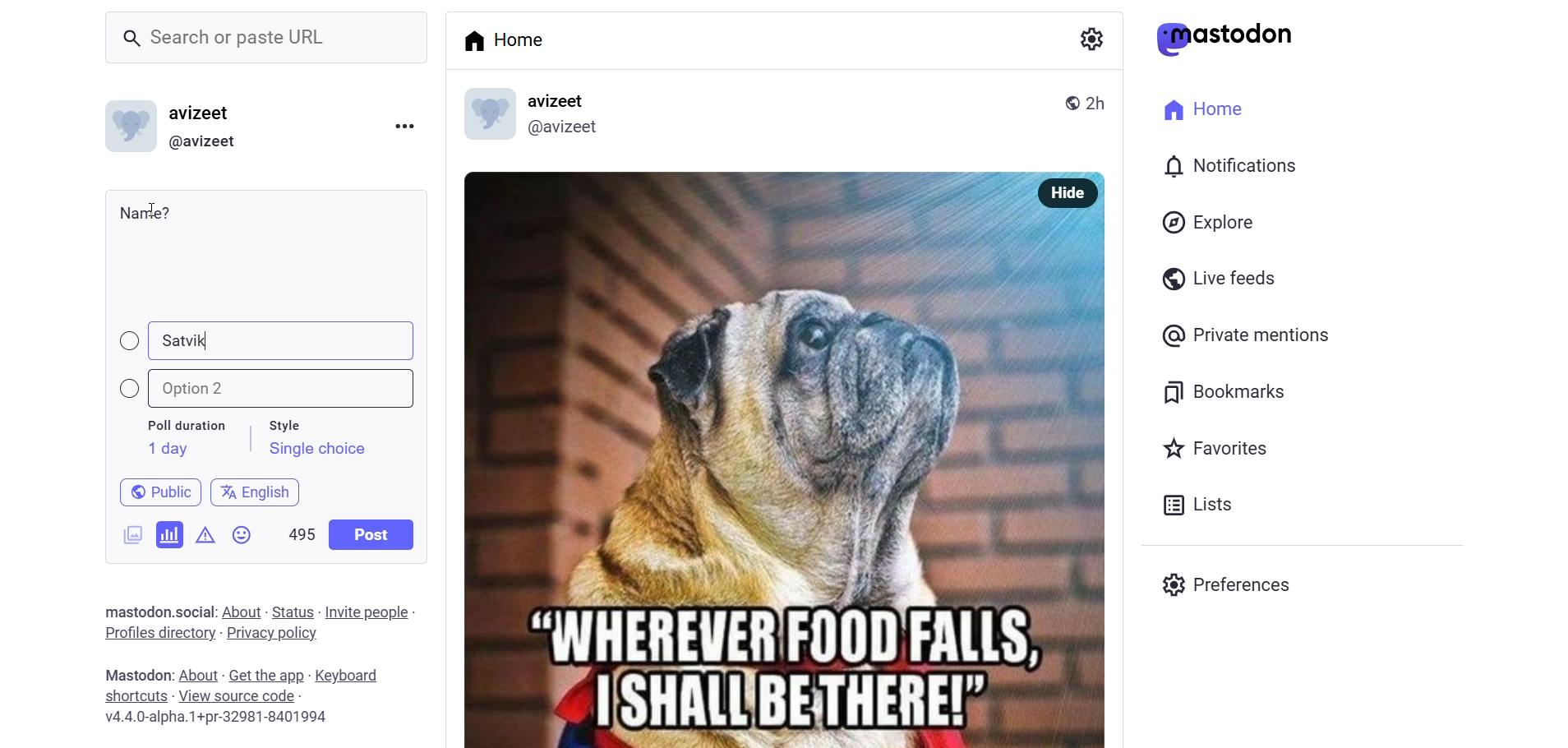 This screenshot has width=1568, height=748. Describe the element at coordinates (1066, 101) in the screenshot. I see `public` at that location.